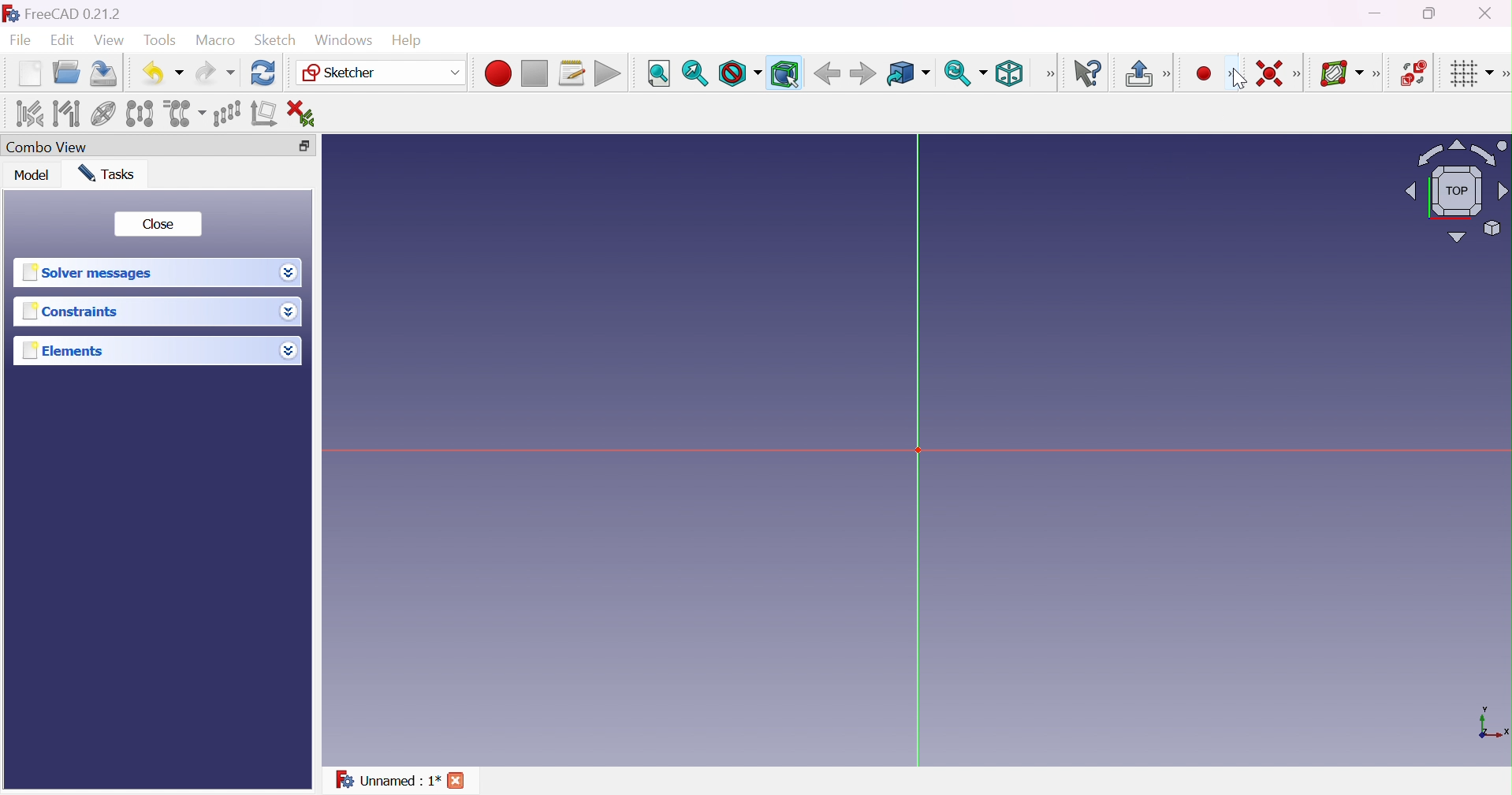 This screenshot has width=1512, height=795. I want to click on Macro, so click(214, 40).